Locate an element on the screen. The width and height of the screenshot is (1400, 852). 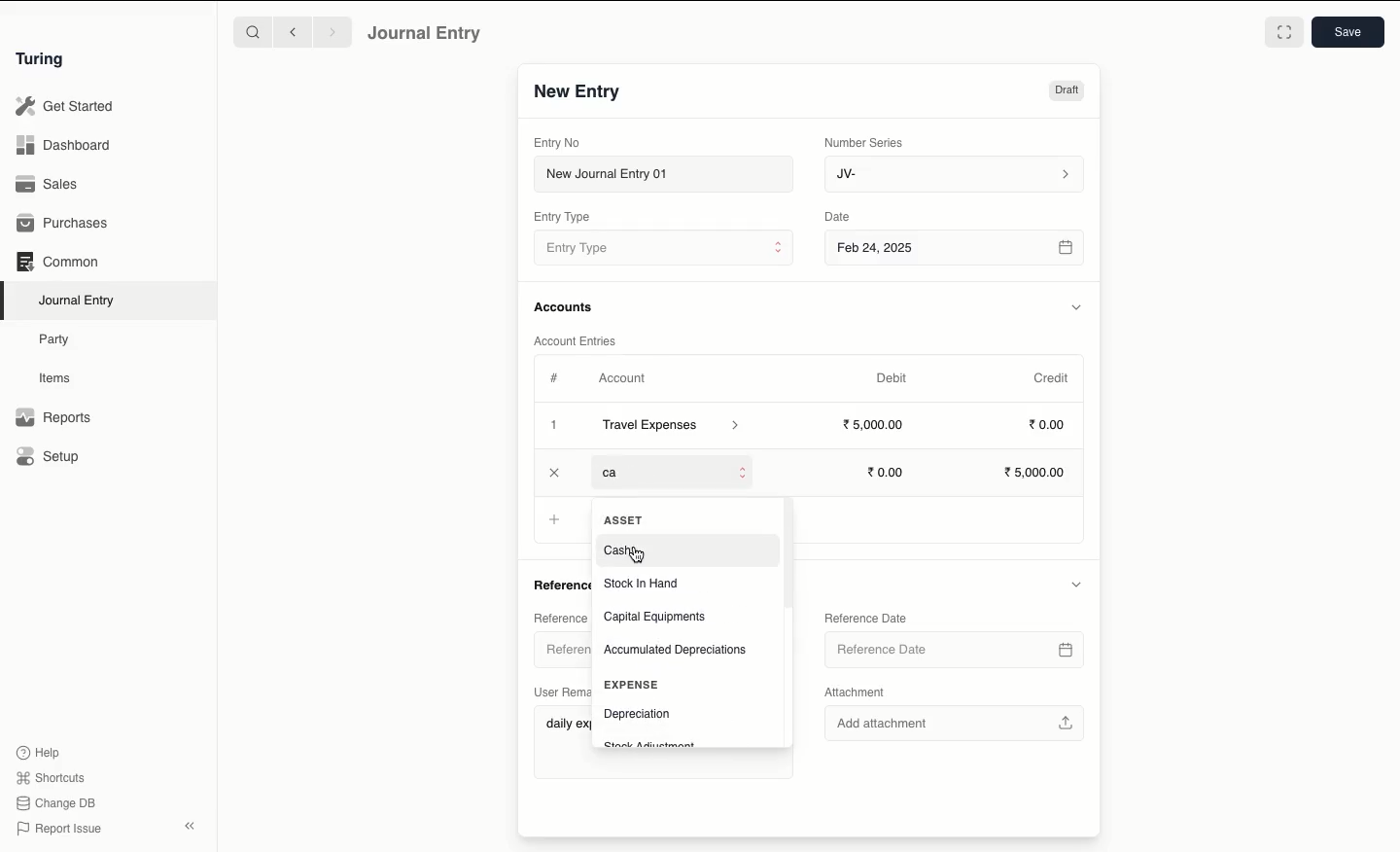
Journal Entry is located at coordinates (426, 34).